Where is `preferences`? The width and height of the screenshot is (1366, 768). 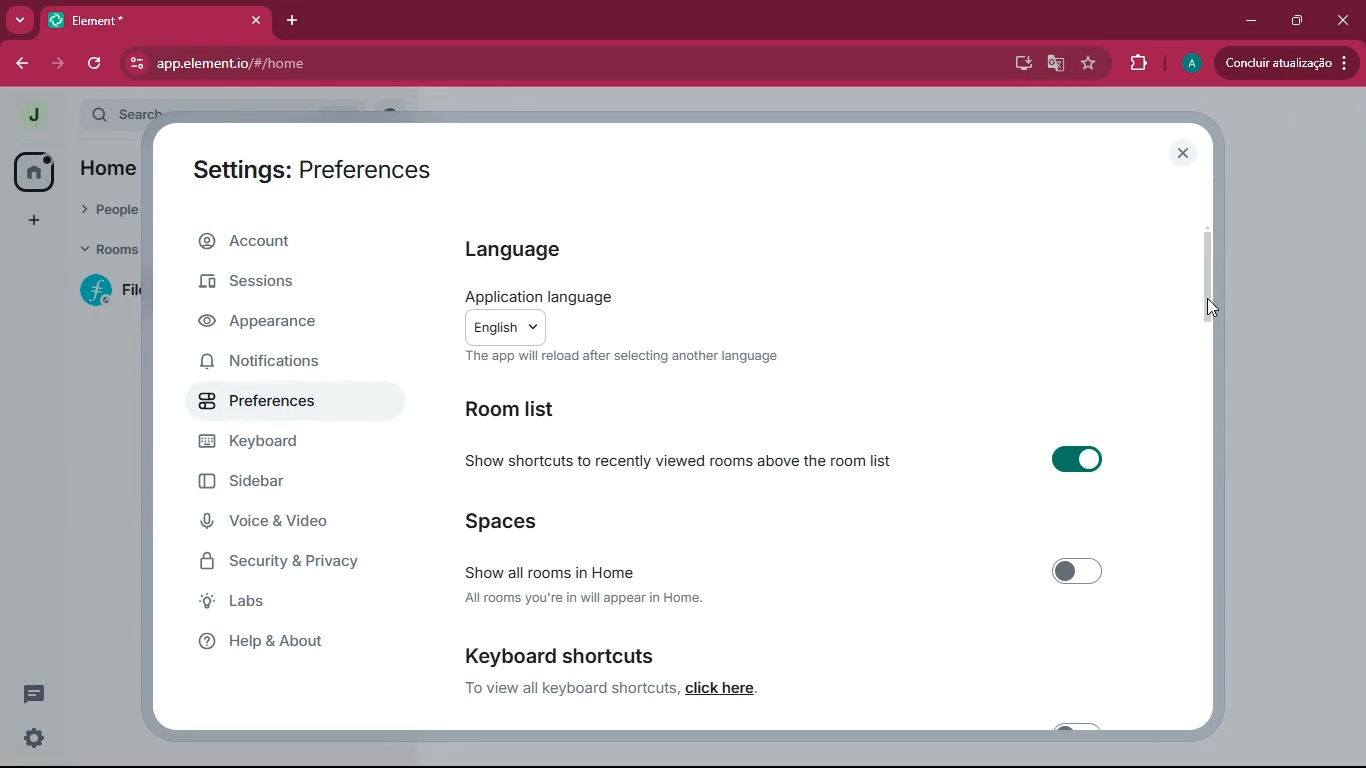
preferences is located at coordinates (276, 403).